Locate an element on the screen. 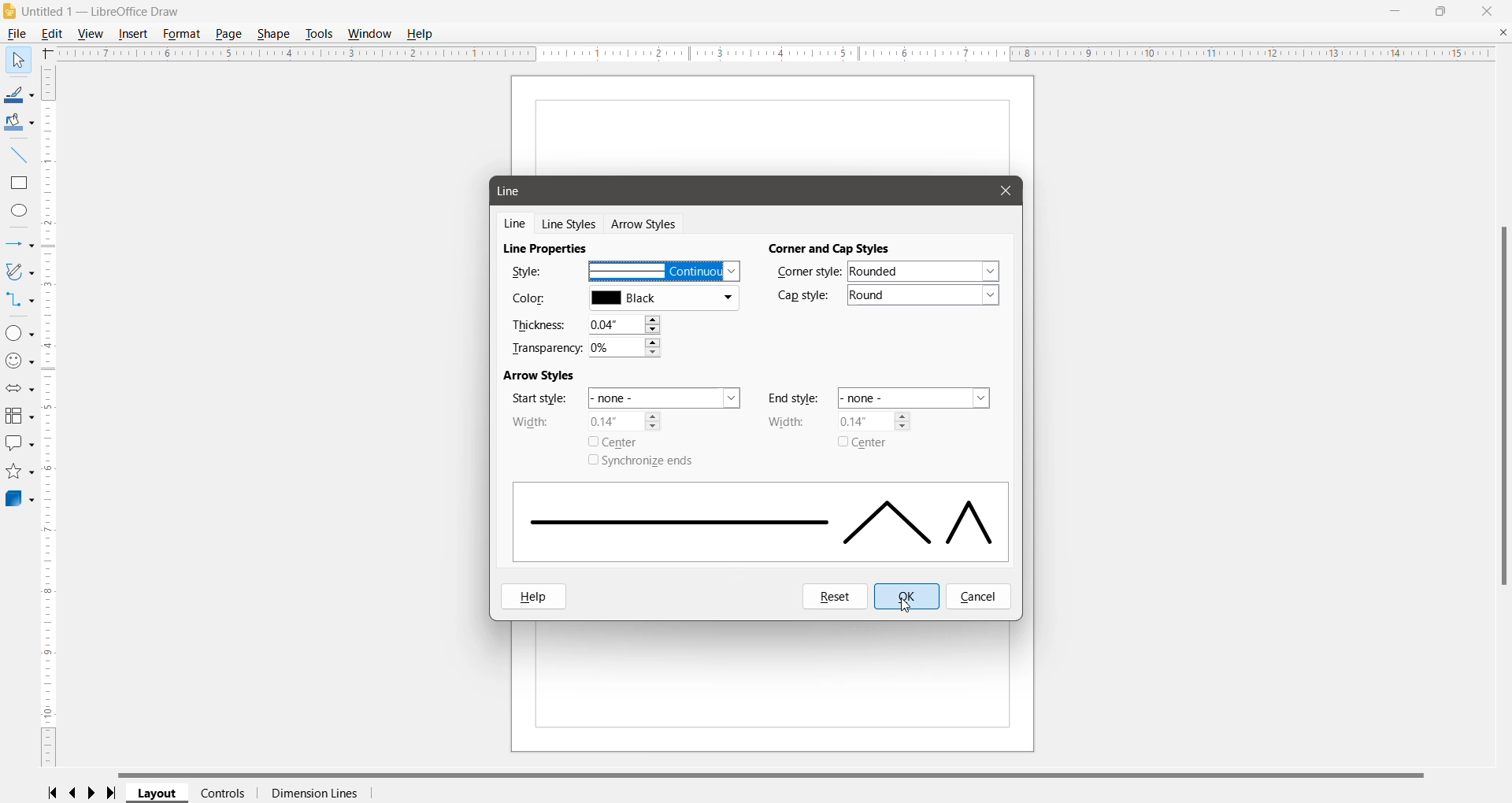  Close Document is located at coordinates (1503, 32).